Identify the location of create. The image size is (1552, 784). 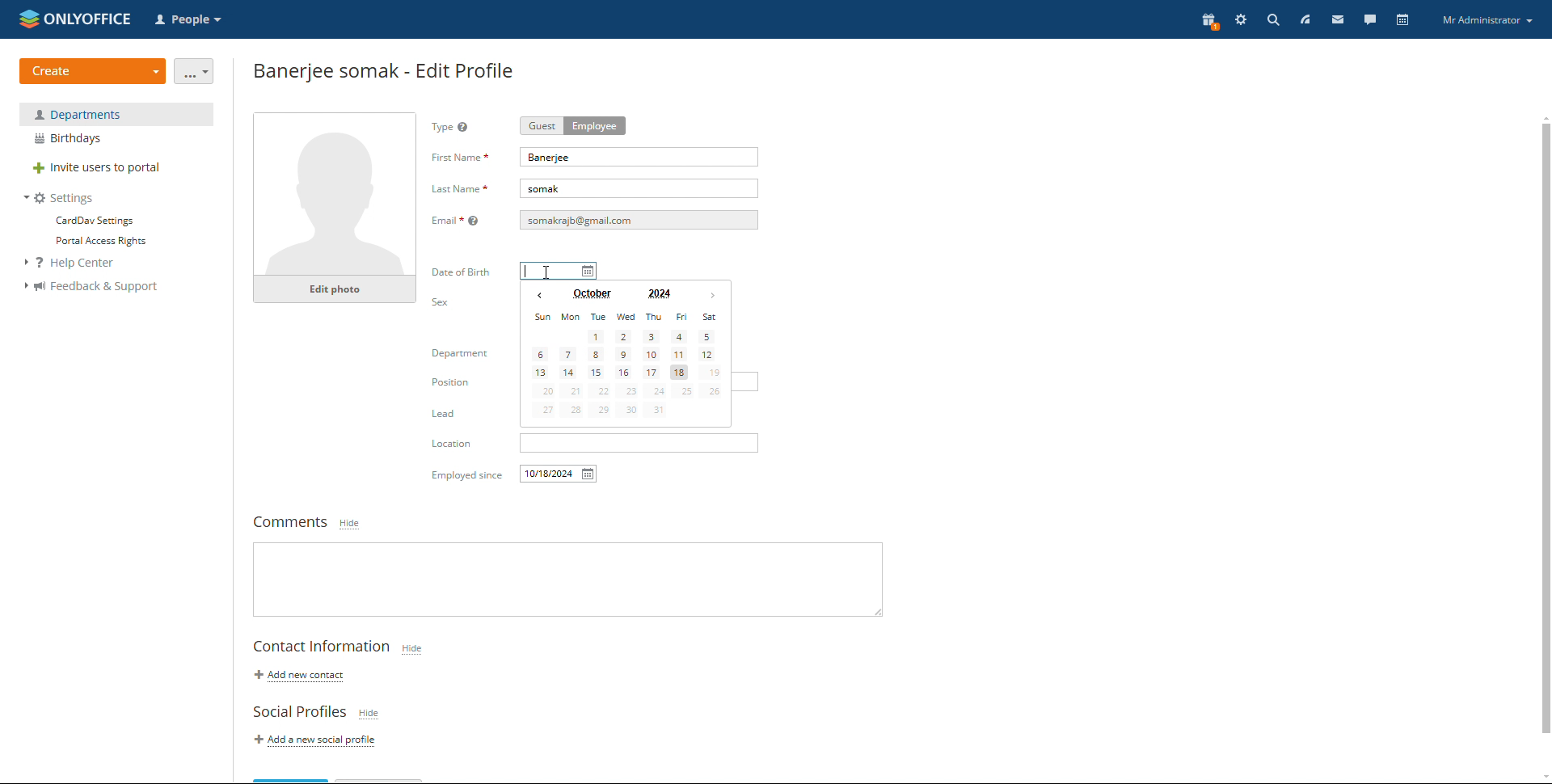
(93, 71).